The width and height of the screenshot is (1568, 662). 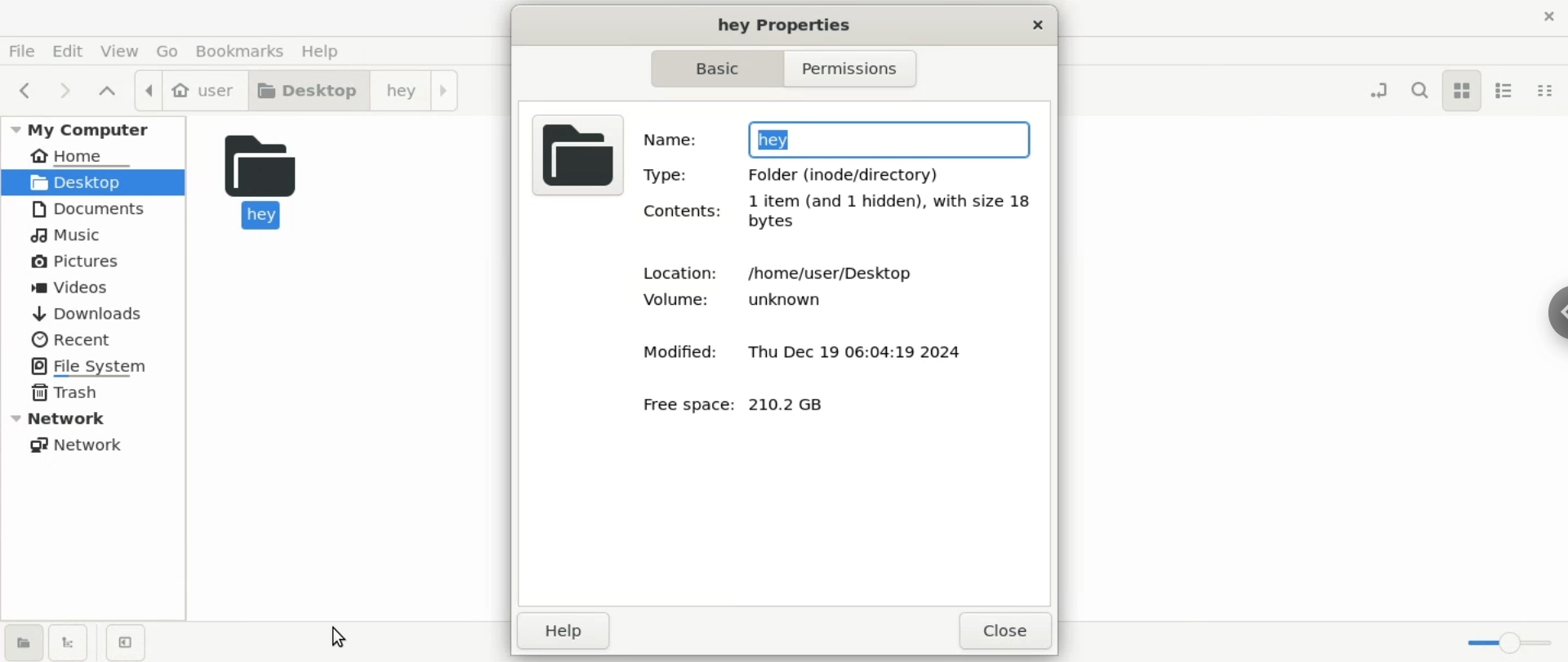 What do you see at coordinates (93, 235) in the screenshot?
I see `music` at bounding box center [93, 235].